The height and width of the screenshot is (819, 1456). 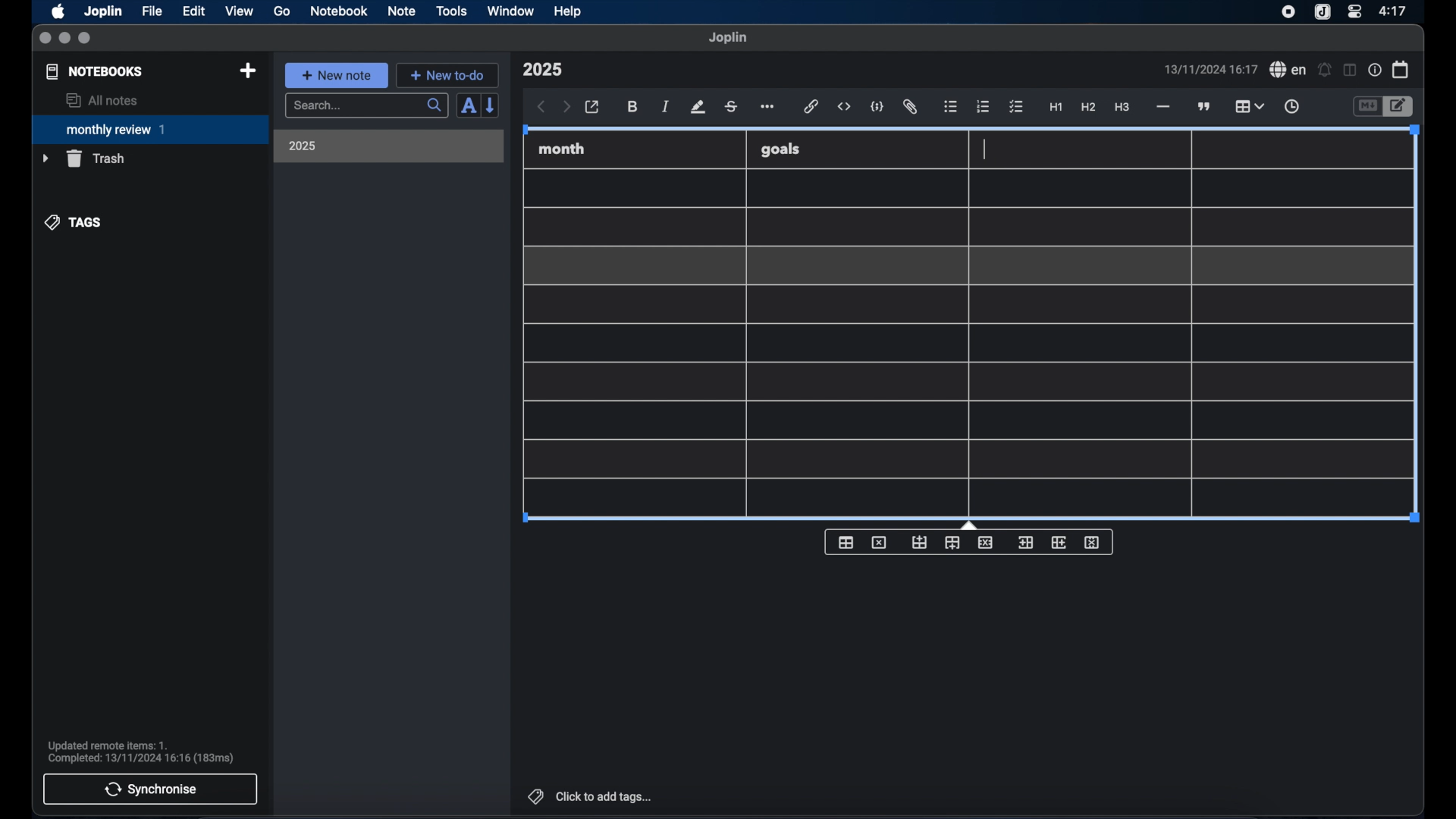 I want to click on synchronise, so click(x=150, y=789).